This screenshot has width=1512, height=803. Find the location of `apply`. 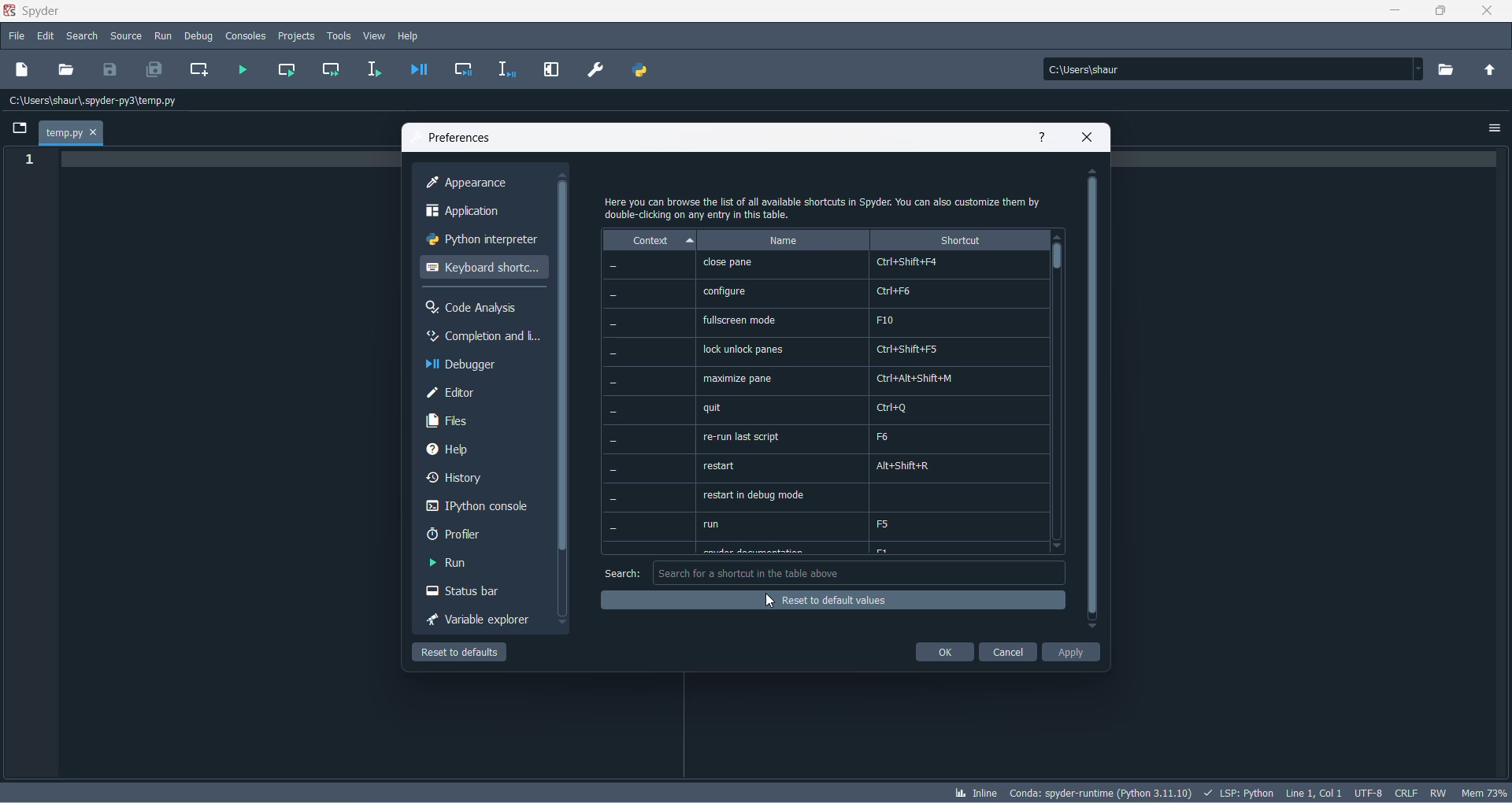

apply is located at coordinates (1070, 653).